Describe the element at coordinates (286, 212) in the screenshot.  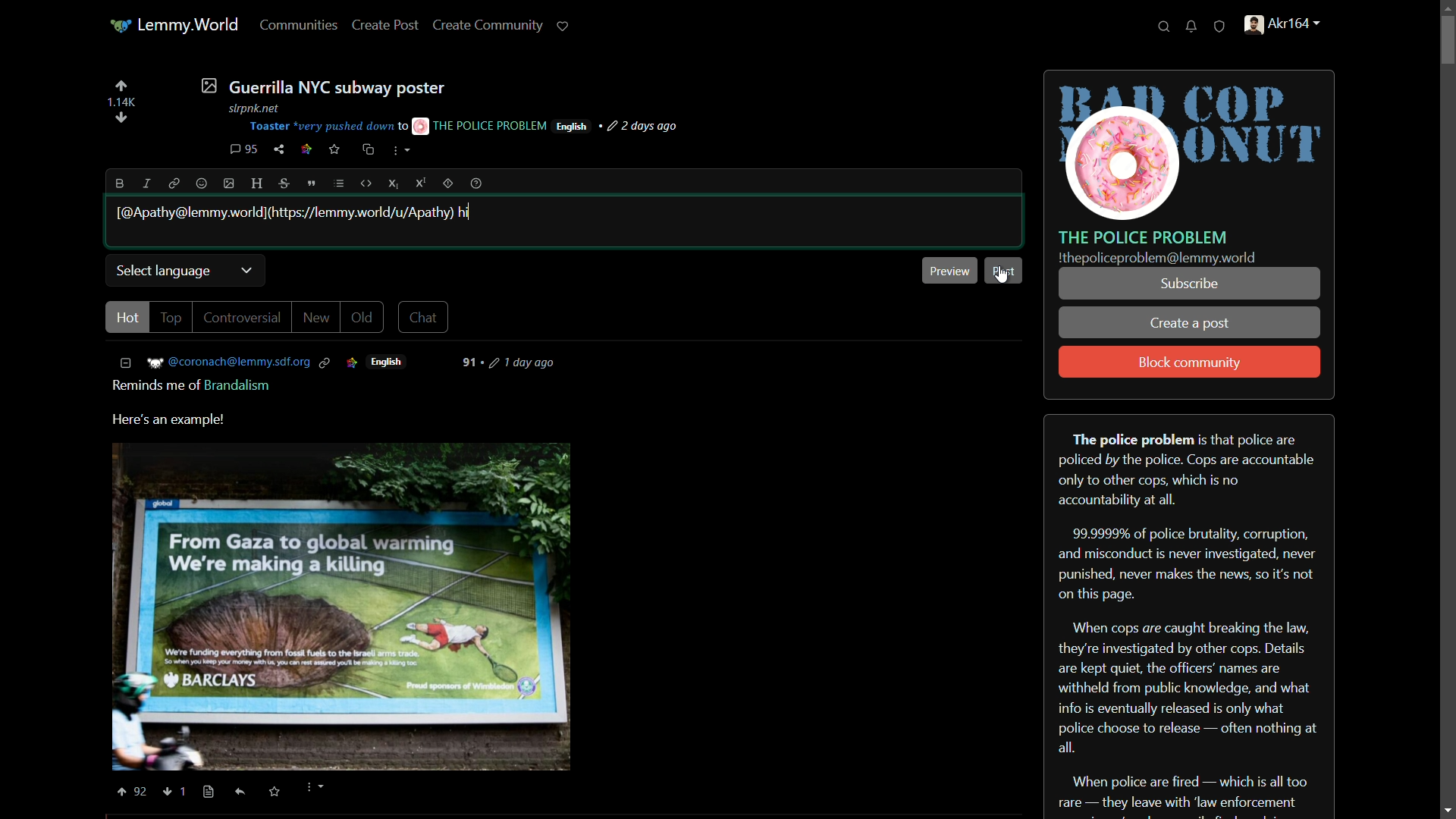
I see `mentioned user` at that location.